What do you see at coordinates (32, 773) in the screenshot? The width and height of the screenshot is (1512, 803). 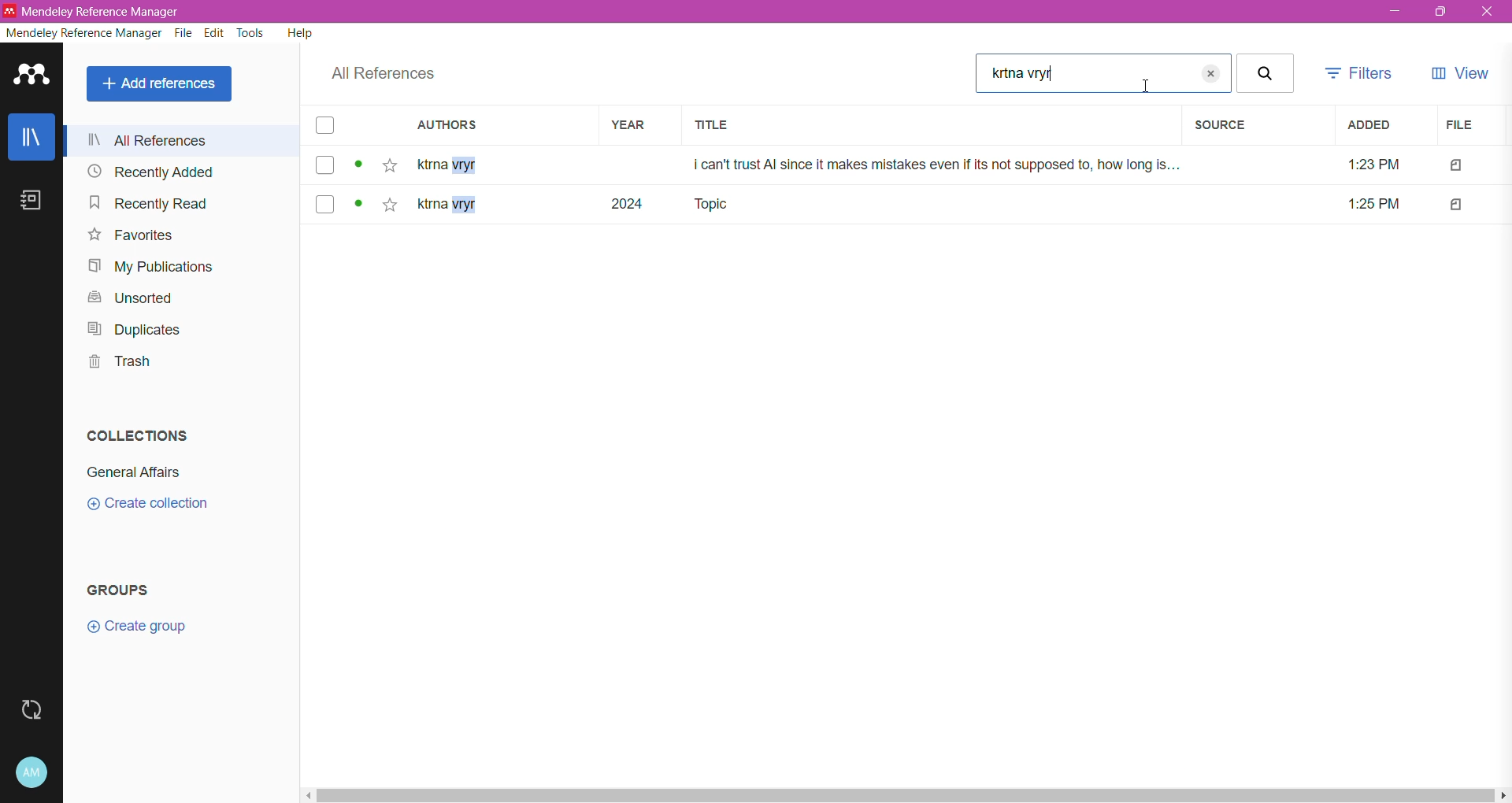 I see `Account and Help` at bounding box center [32, 773].